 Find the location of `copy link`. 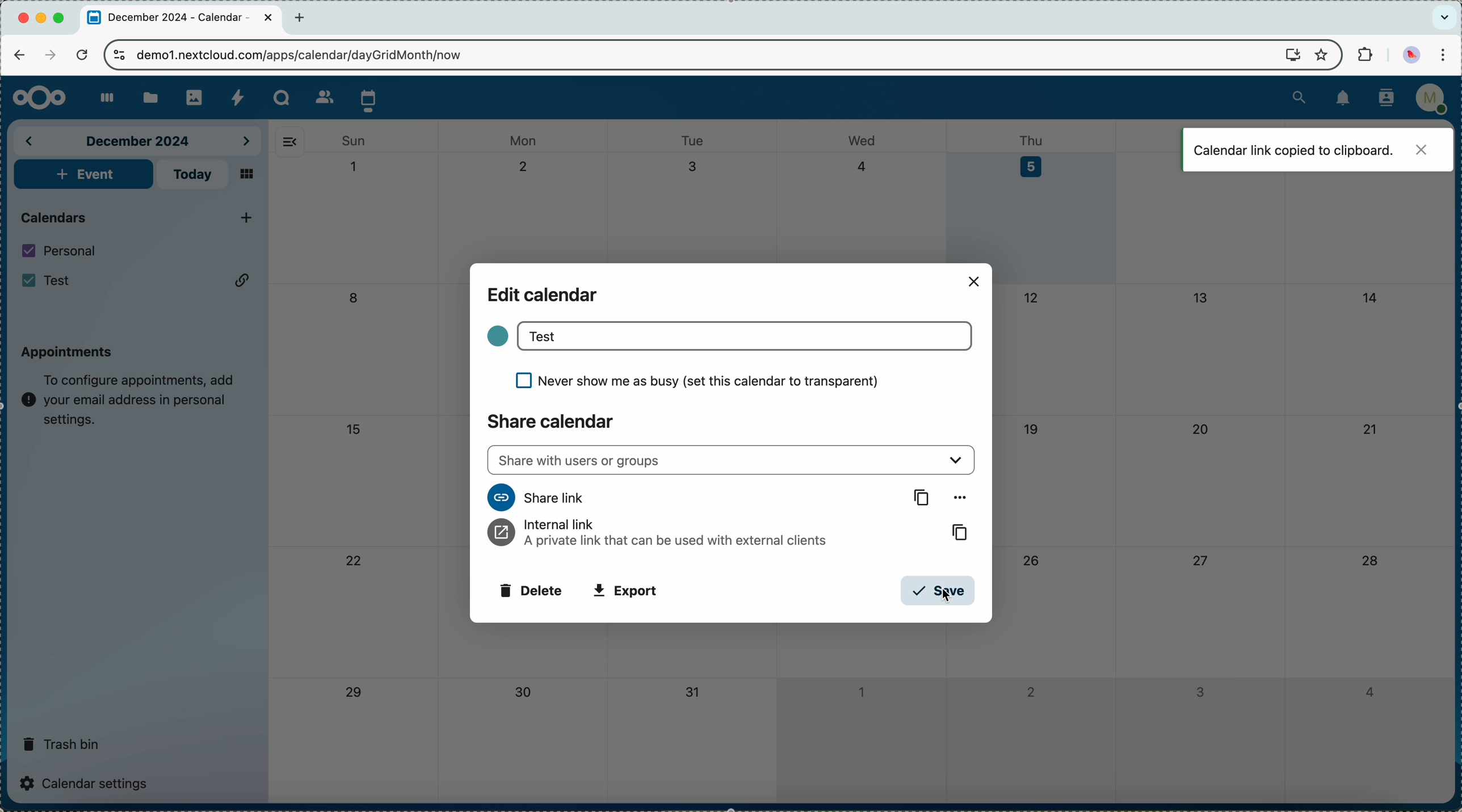

copy link is located at coordinates (924, 498).